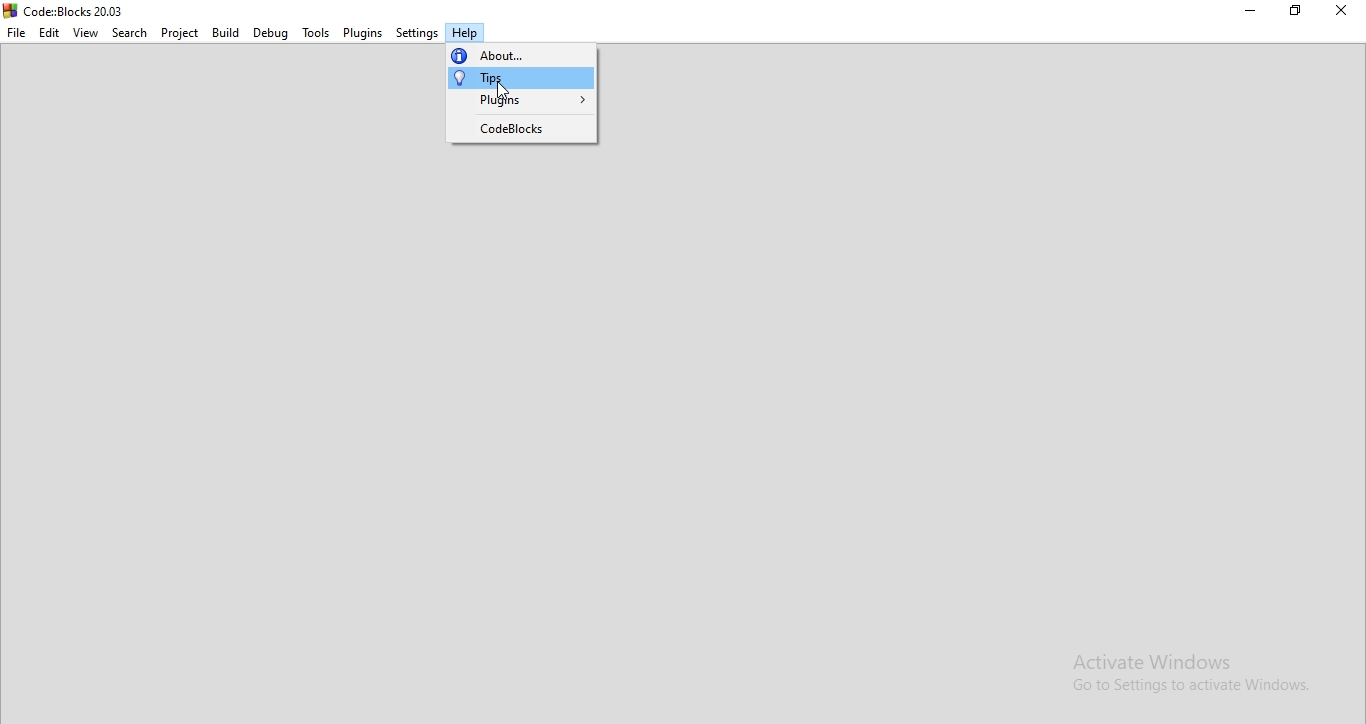 The width and height of the screenshot is (1366, 724). Describe the element at coordinates (226, 34) in the screenshot. I see `Build ` at that location.